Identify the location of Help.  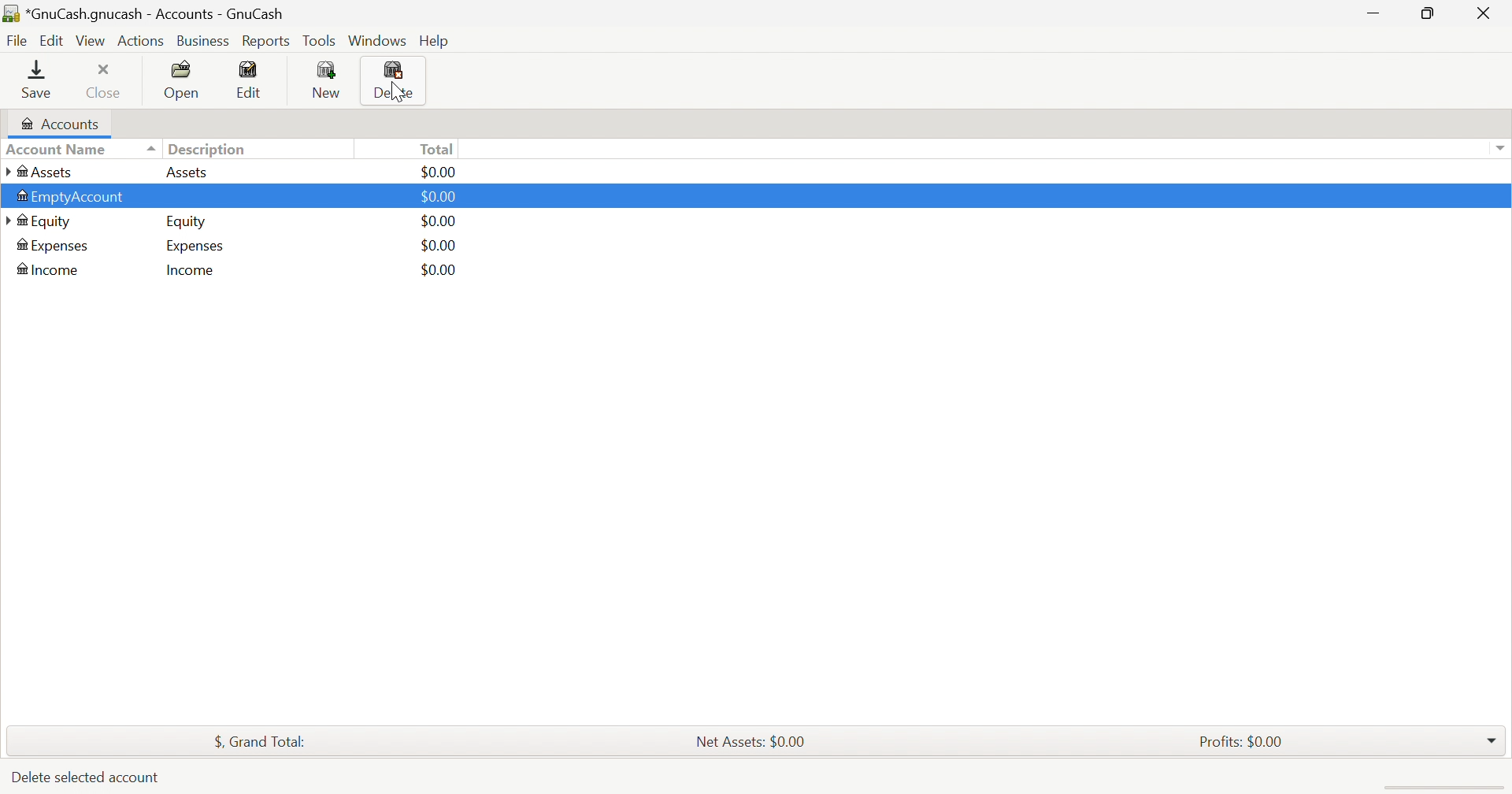
(435, 40).